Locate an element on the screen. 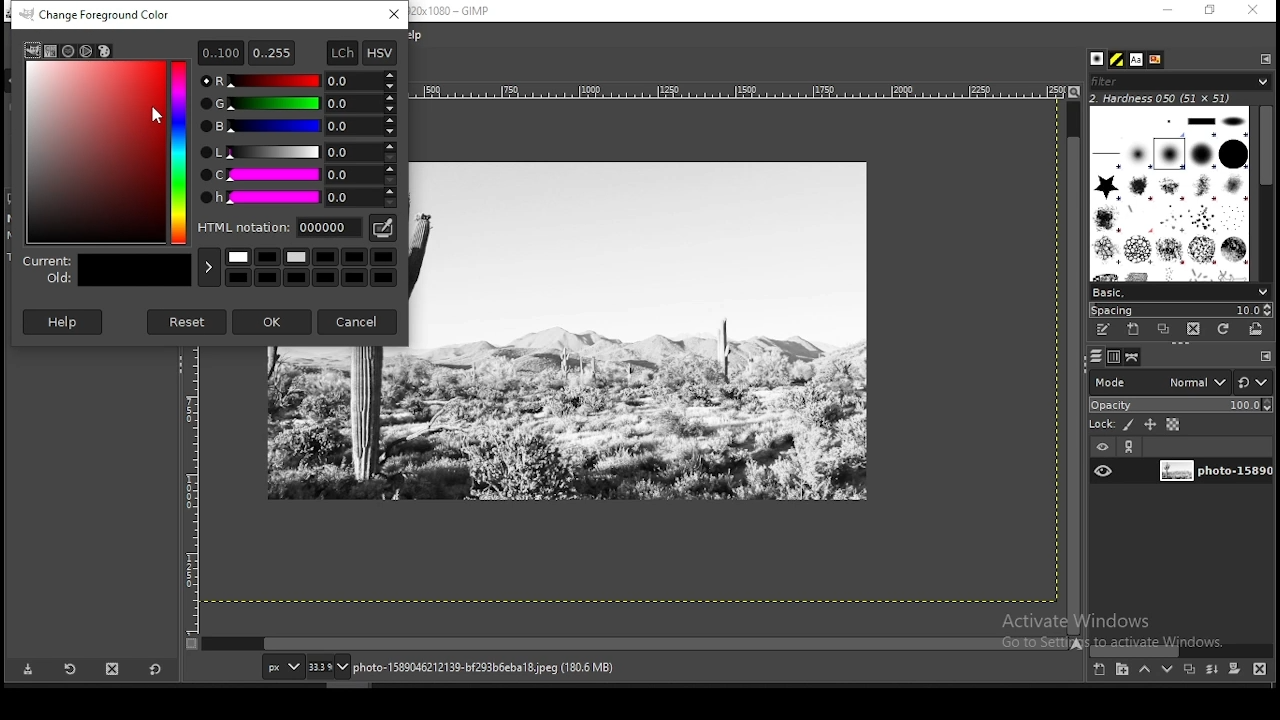 The image size is (1280, 720). edit brush is located at coordinates (1105, 330).